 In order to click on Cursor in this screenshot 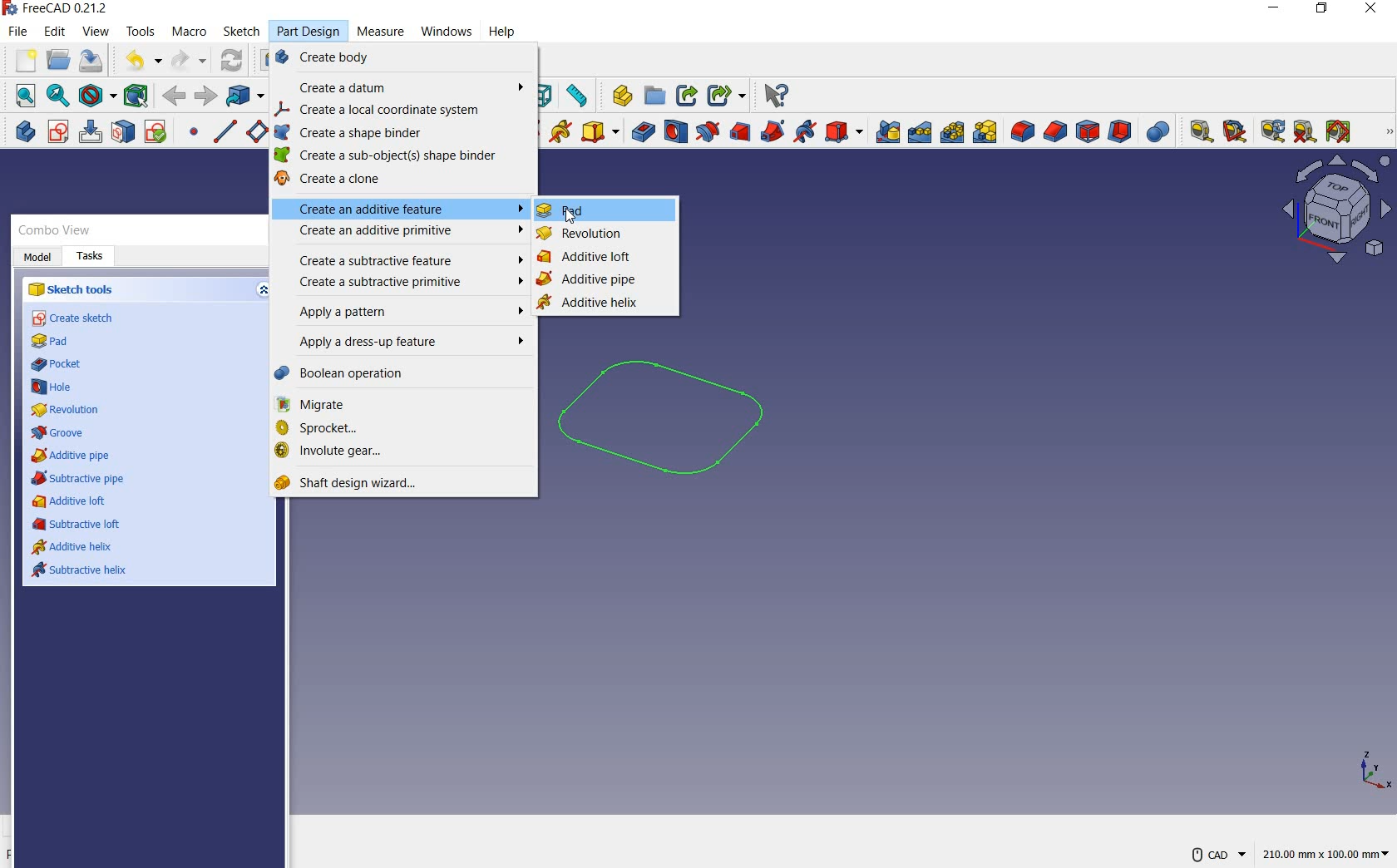, I will do `click(446, 31)`.